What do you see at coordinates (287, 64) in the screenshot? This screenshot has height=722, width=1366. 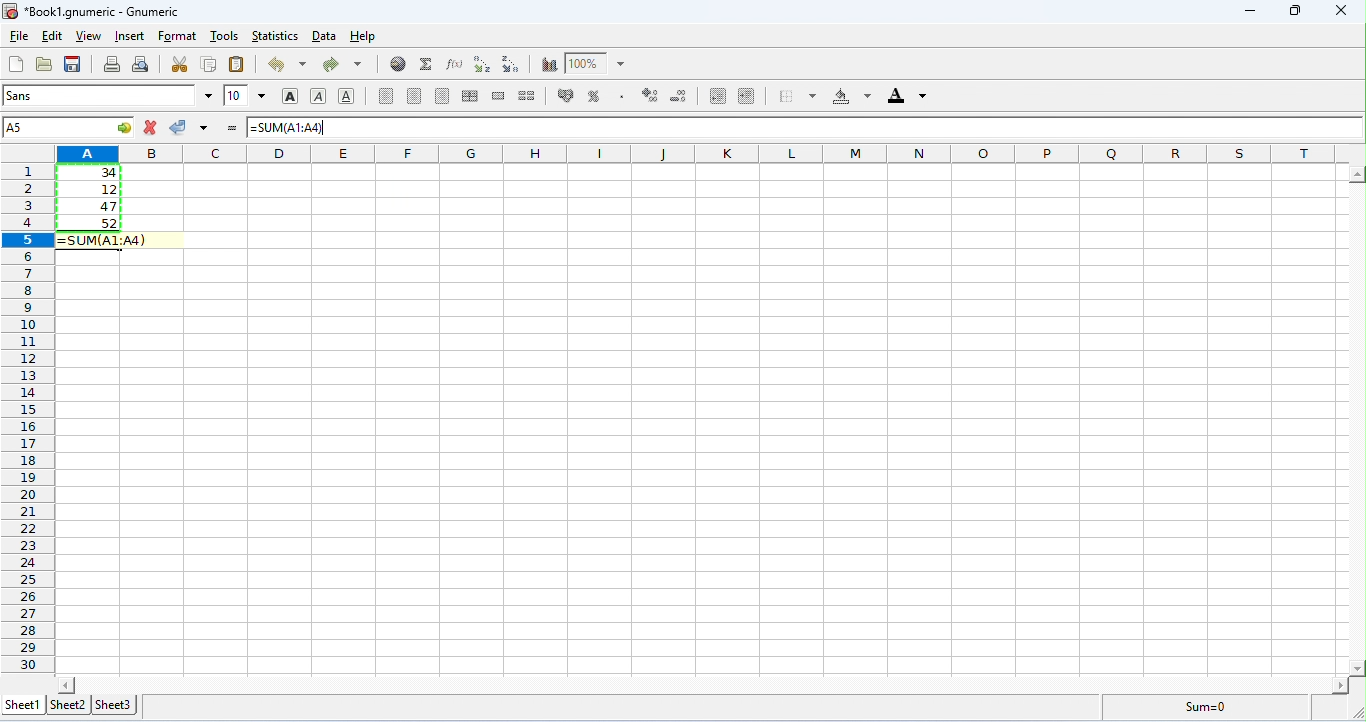 I see `undo` at bounding box center [287, 64].